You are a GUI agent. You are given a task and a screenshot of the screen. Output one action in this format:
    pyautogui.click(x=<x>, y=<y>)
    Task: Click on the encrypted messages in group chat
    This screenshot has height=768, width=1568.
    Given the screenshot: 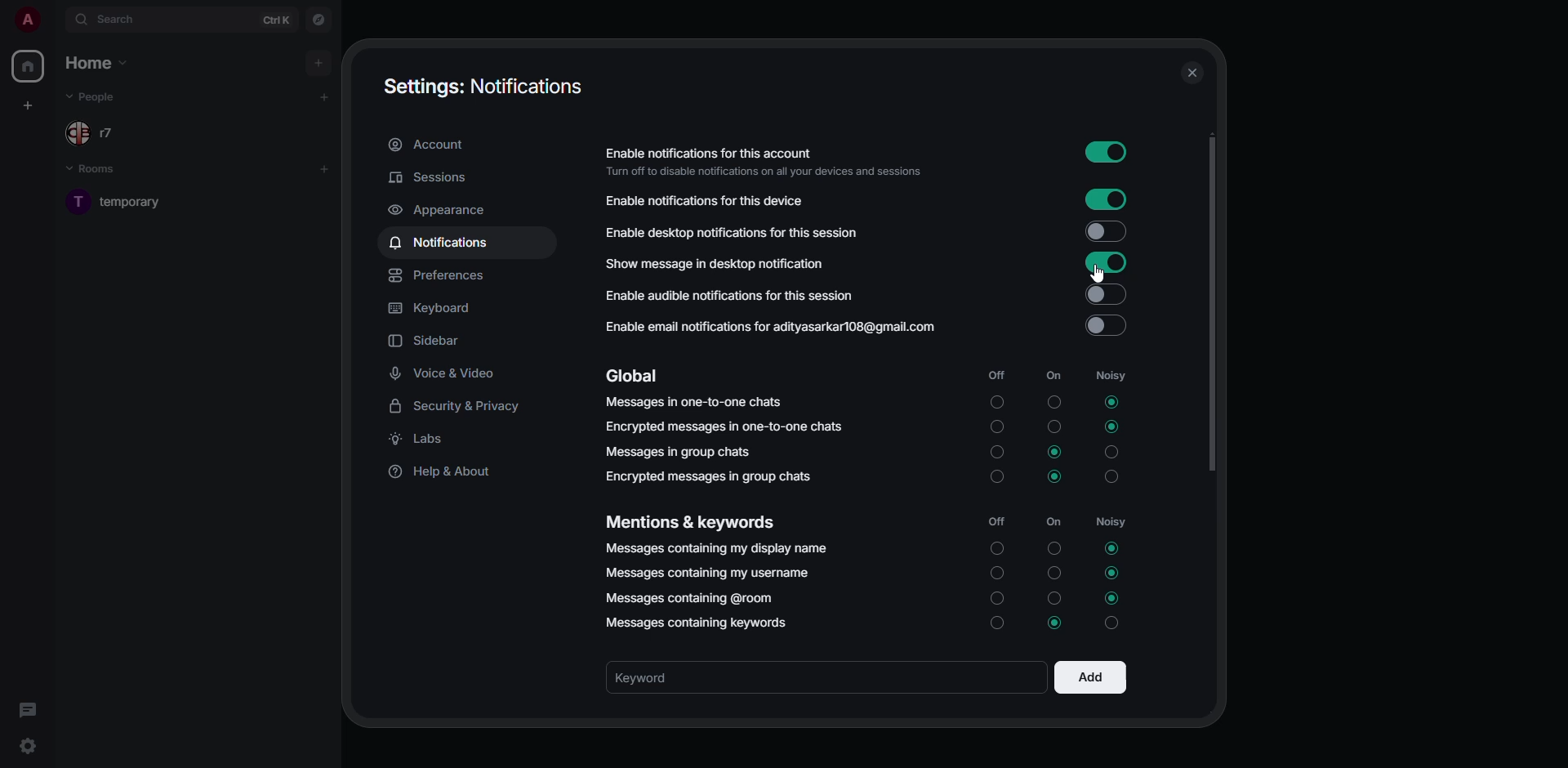 What is the action you would take?
    pyautogui.click(x=706, y=476)
    